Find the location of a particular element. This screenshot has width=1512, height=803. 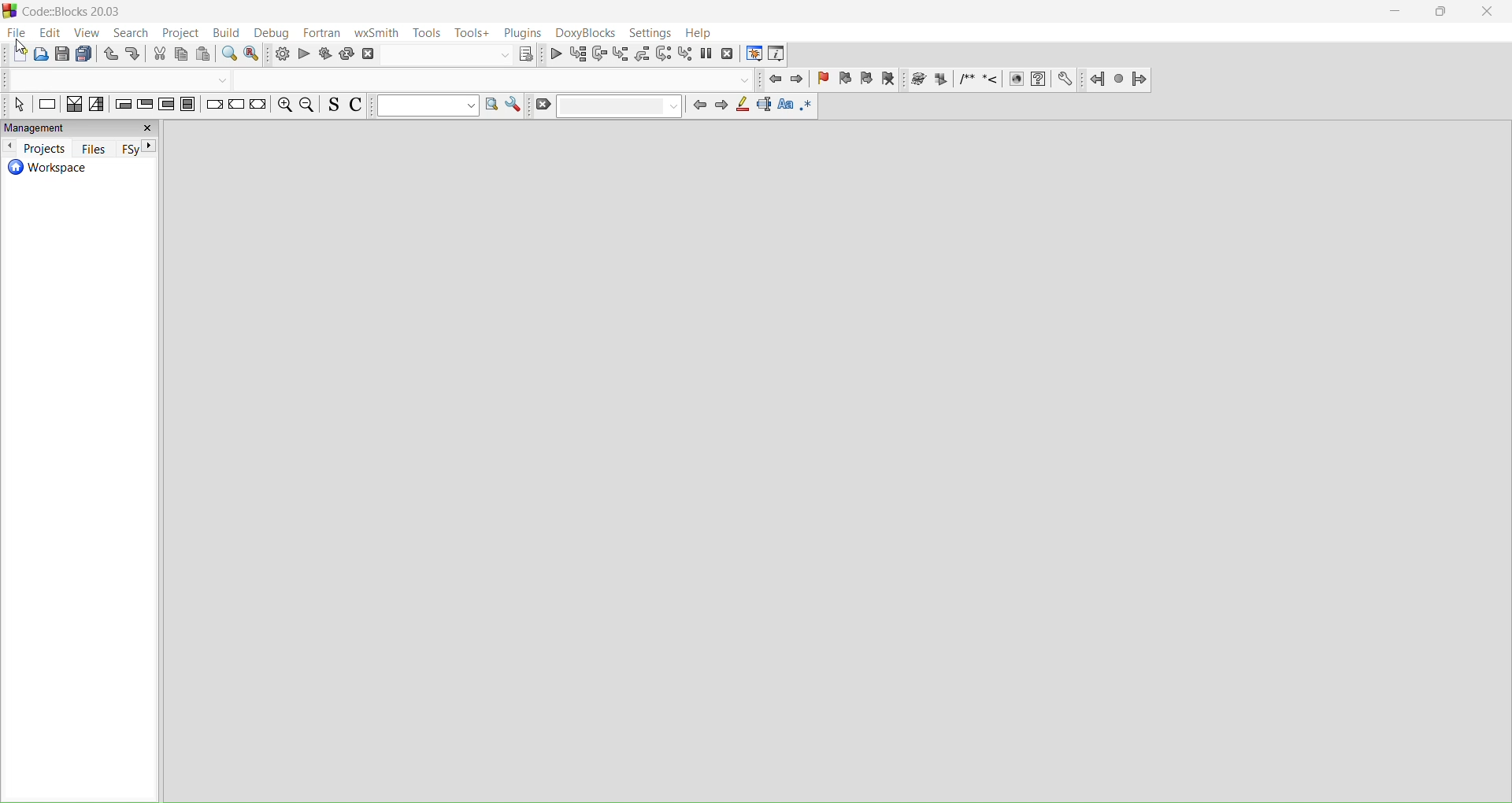

build and run is located at coordinates (326, 54).